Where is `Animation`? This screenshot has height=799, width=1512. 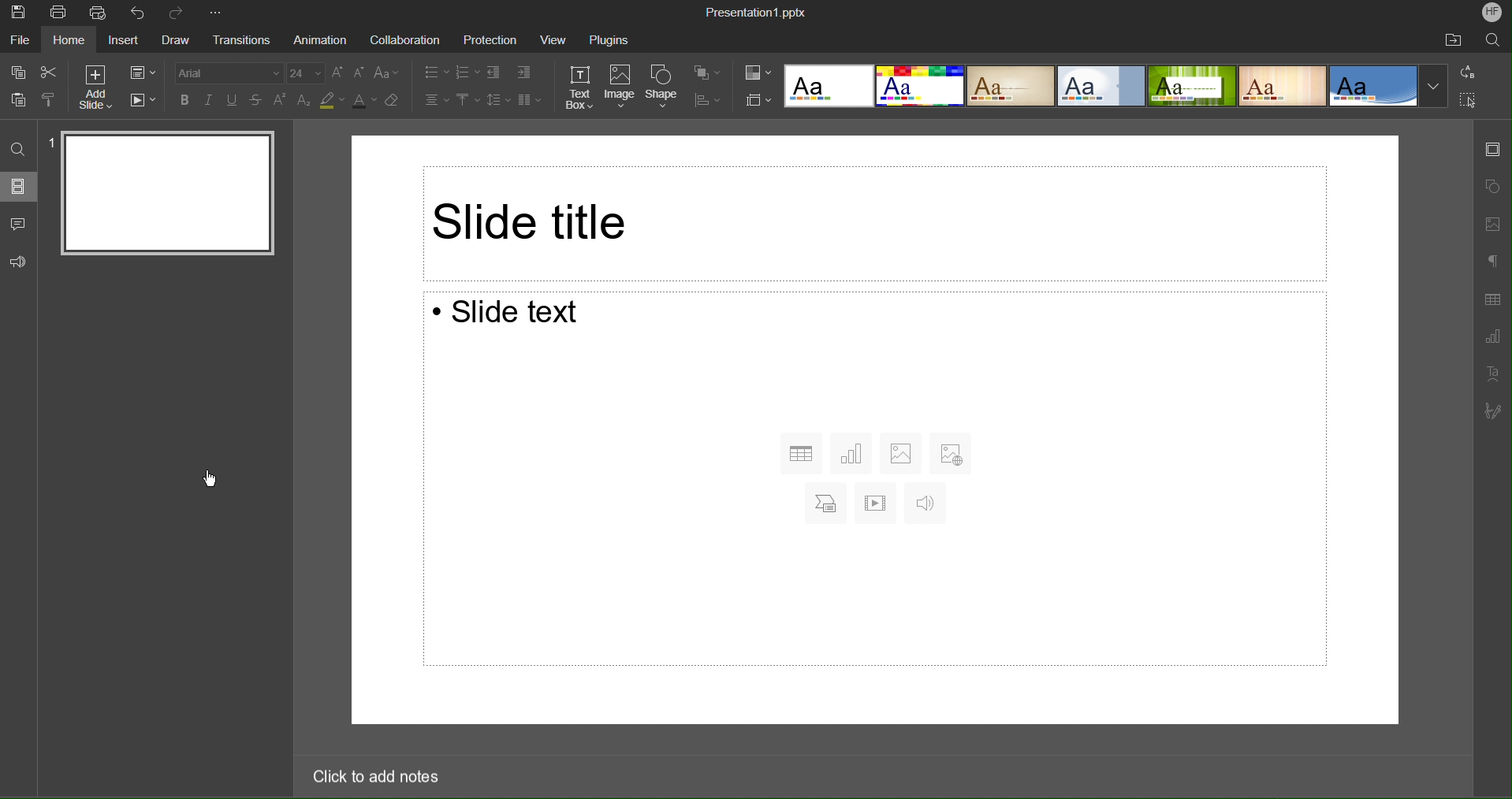 Animation is located at coordinates (319, 40).